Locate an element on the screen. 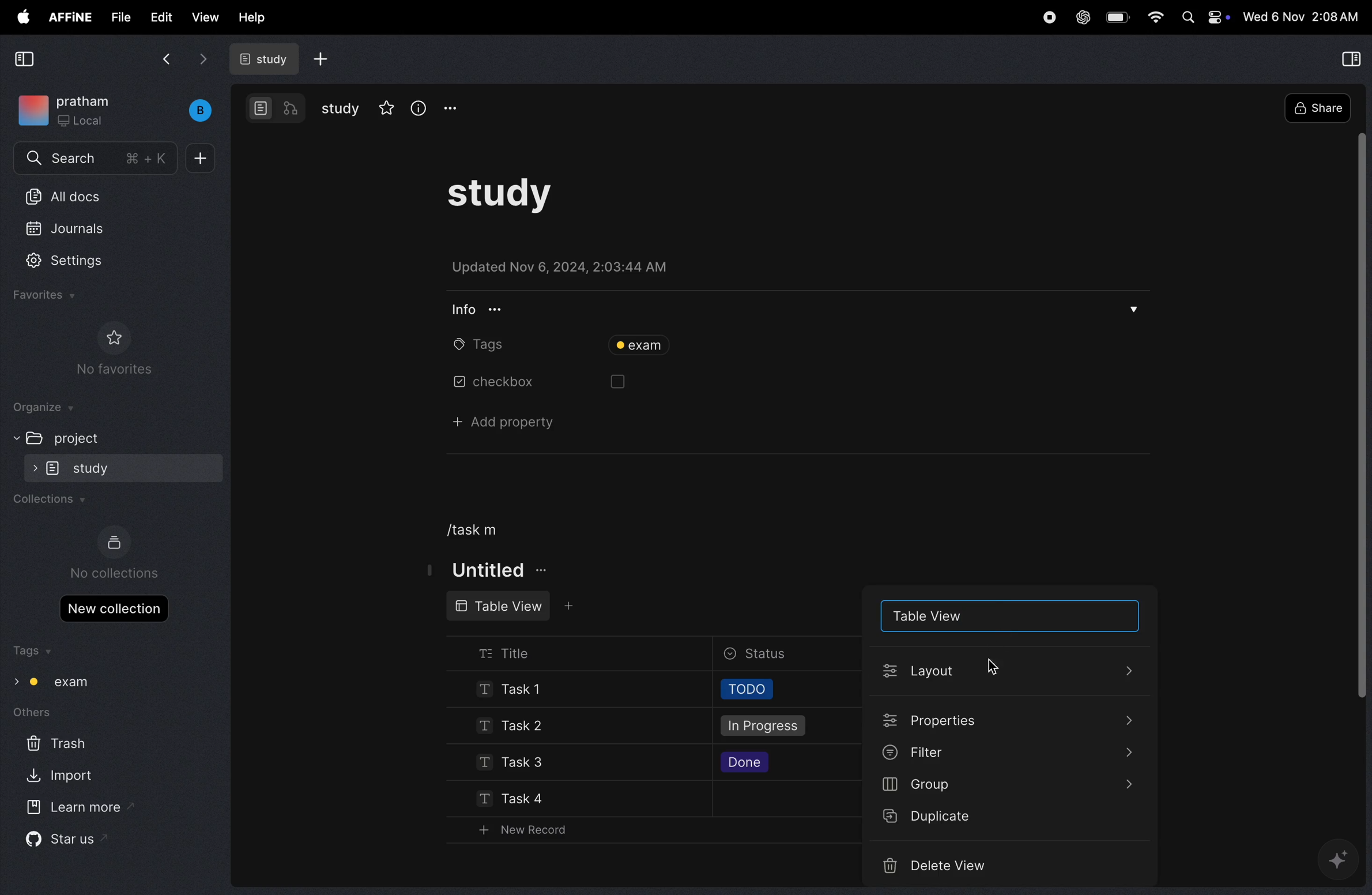 The image size is (1372, 895). settings is located at coordinates (75, 263).